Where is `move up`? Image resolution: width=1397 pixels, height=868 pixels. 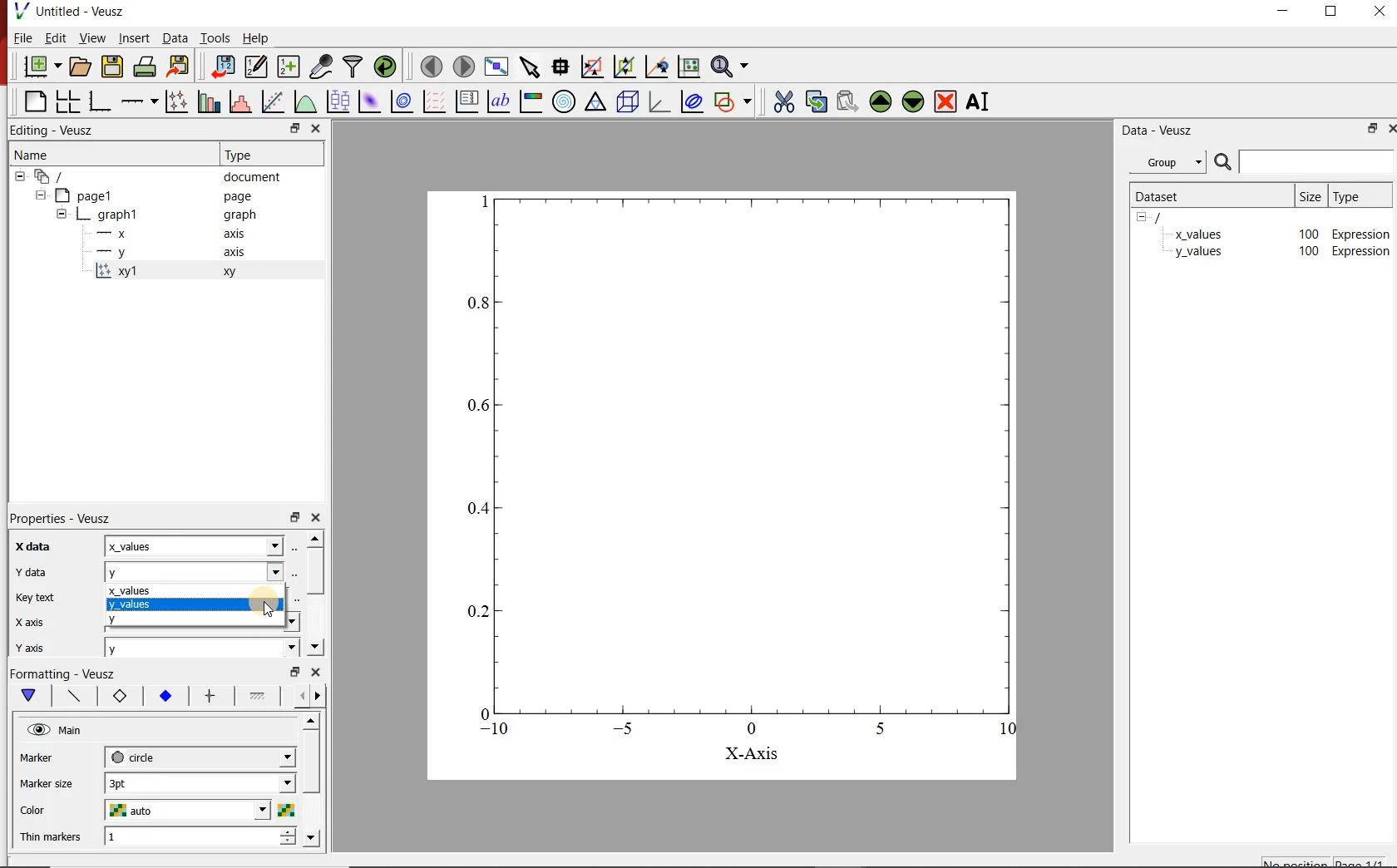 move up is located at coordinates (310, 722).